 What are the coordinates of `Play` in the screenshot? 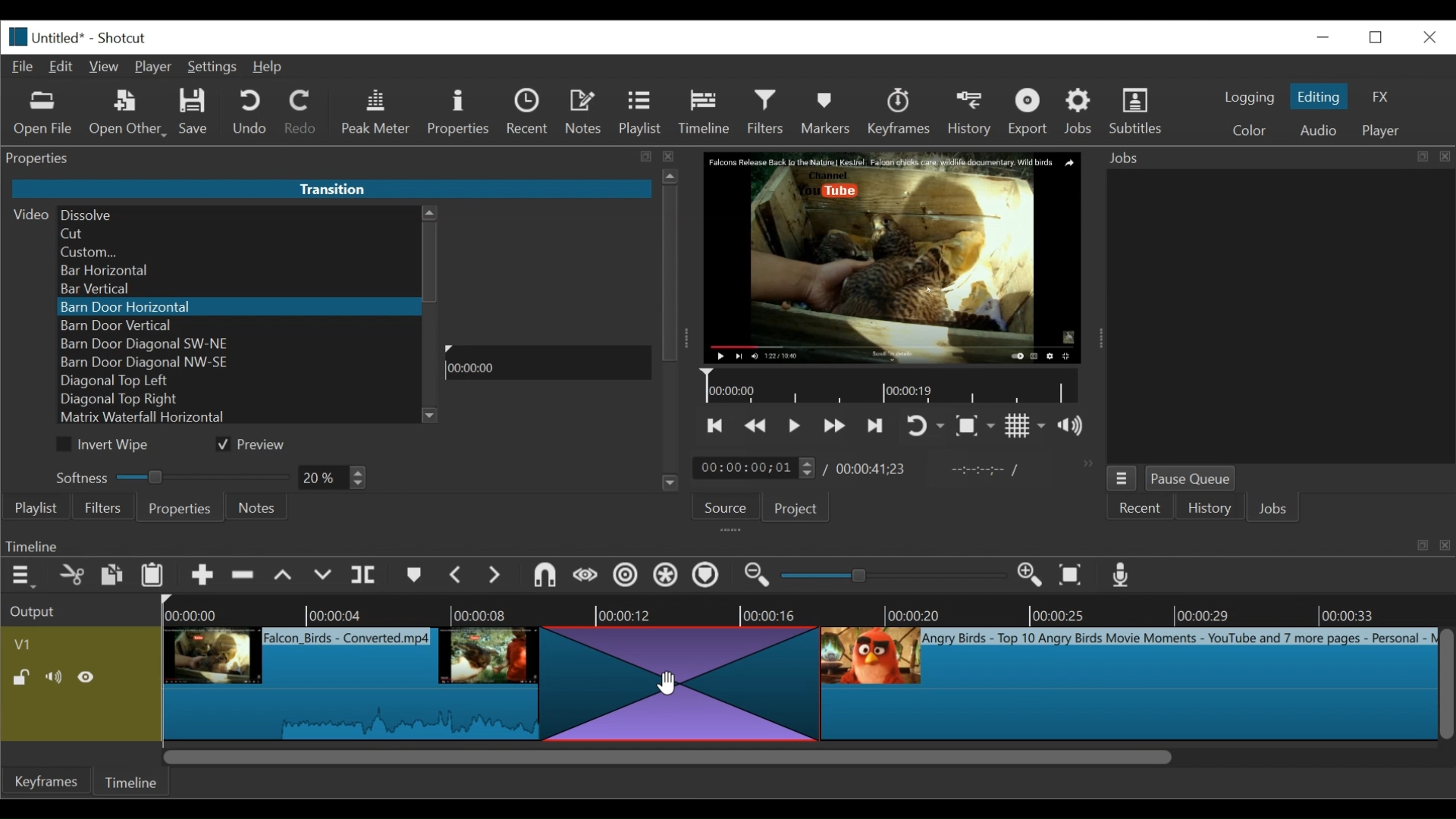 It's located at (548, 394).